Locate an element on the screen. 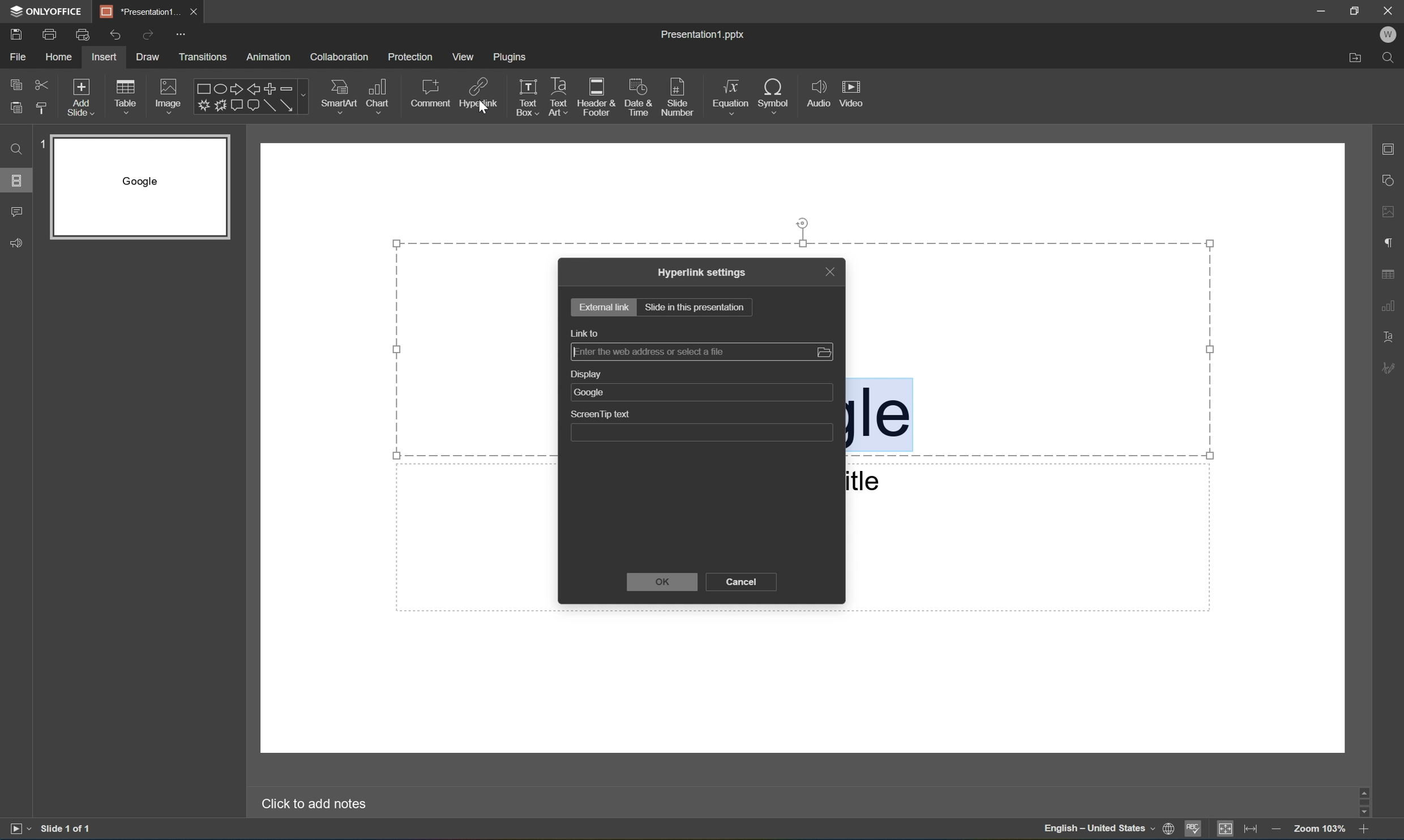 The height and width of the screenshot is (840, 1404). Equation is located at coordinates (731, 98).